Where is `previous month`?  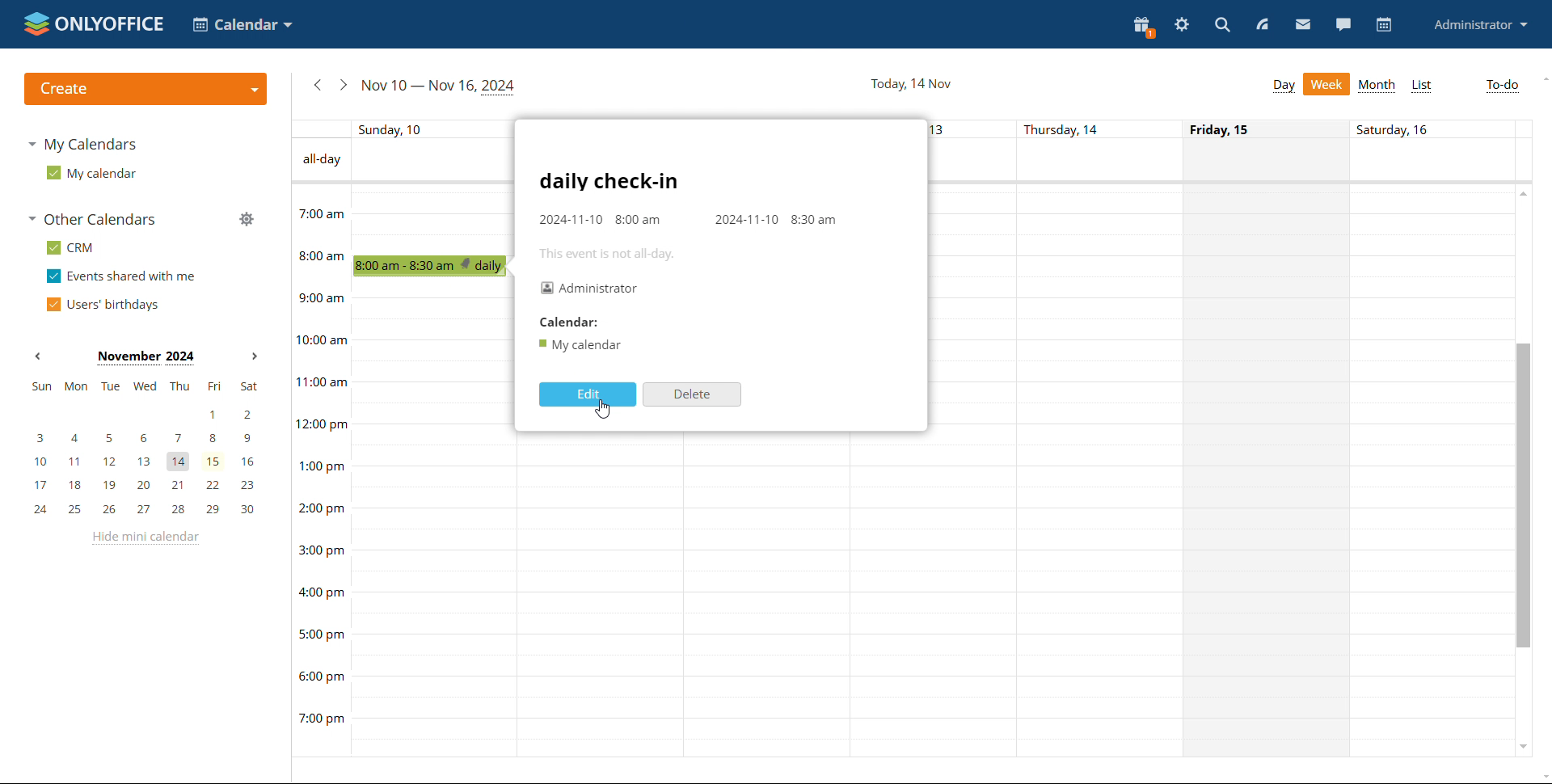
previous month is located at coordinates (37, 356).